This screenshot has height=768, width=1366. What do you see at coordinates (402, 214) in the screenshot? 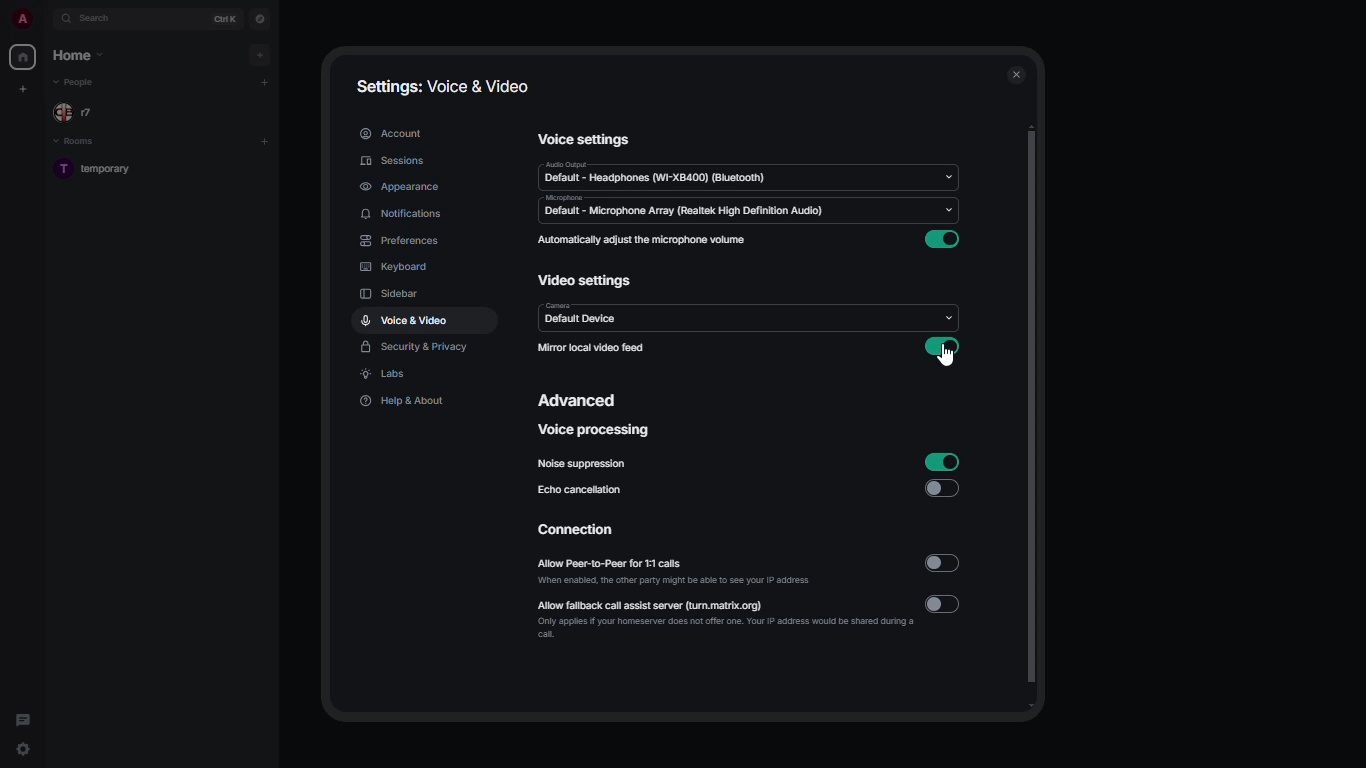
I see `notifications` at bounding box center [402, 214].